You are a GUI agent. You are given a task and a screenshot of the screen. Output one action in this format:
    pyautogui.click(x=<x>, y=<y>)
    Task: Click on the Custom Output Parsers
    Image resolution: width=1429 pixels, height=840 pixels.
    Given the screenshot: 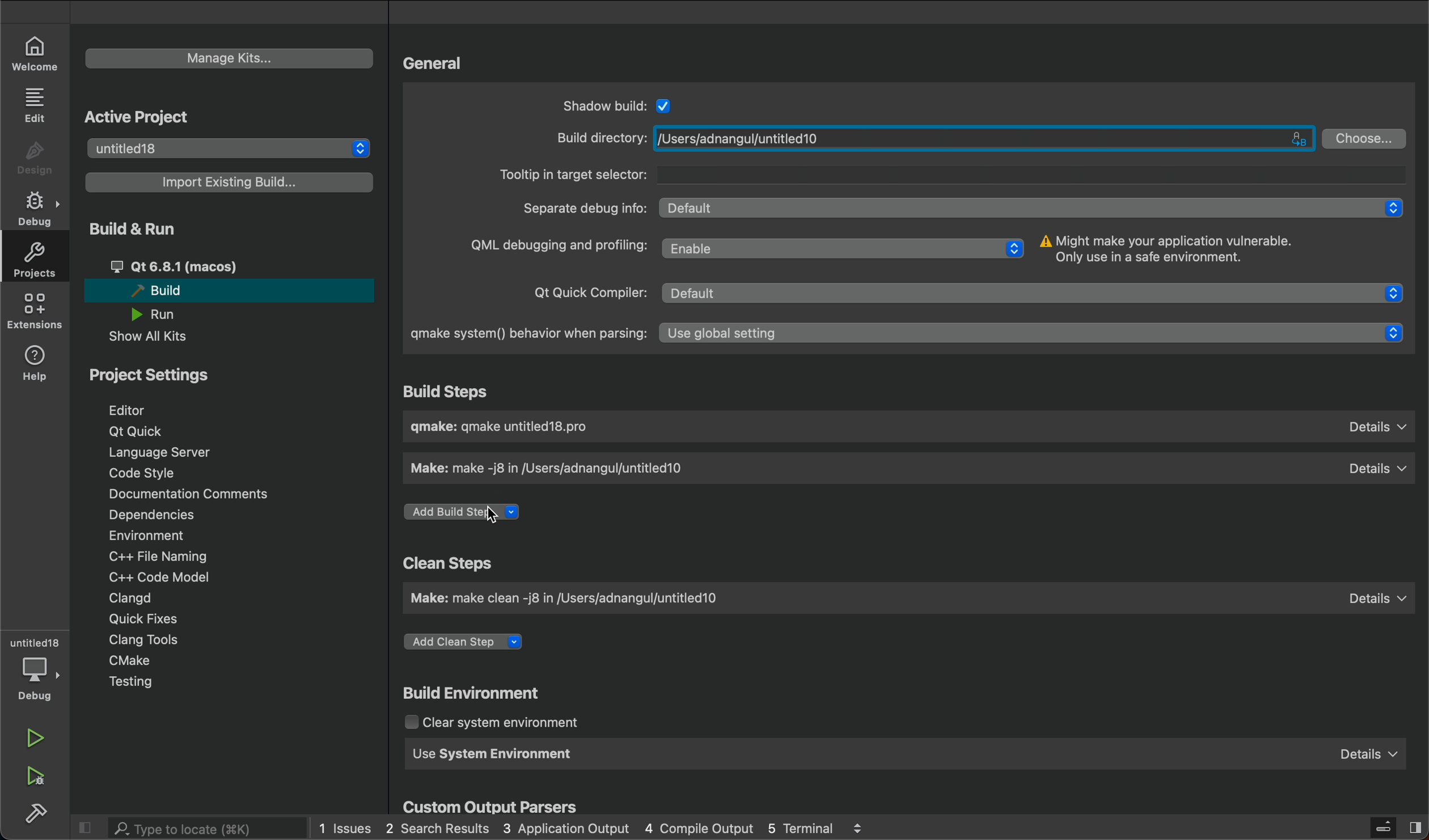 What is the action you would take?
    pyautogui.click(x=491, y=805)
    